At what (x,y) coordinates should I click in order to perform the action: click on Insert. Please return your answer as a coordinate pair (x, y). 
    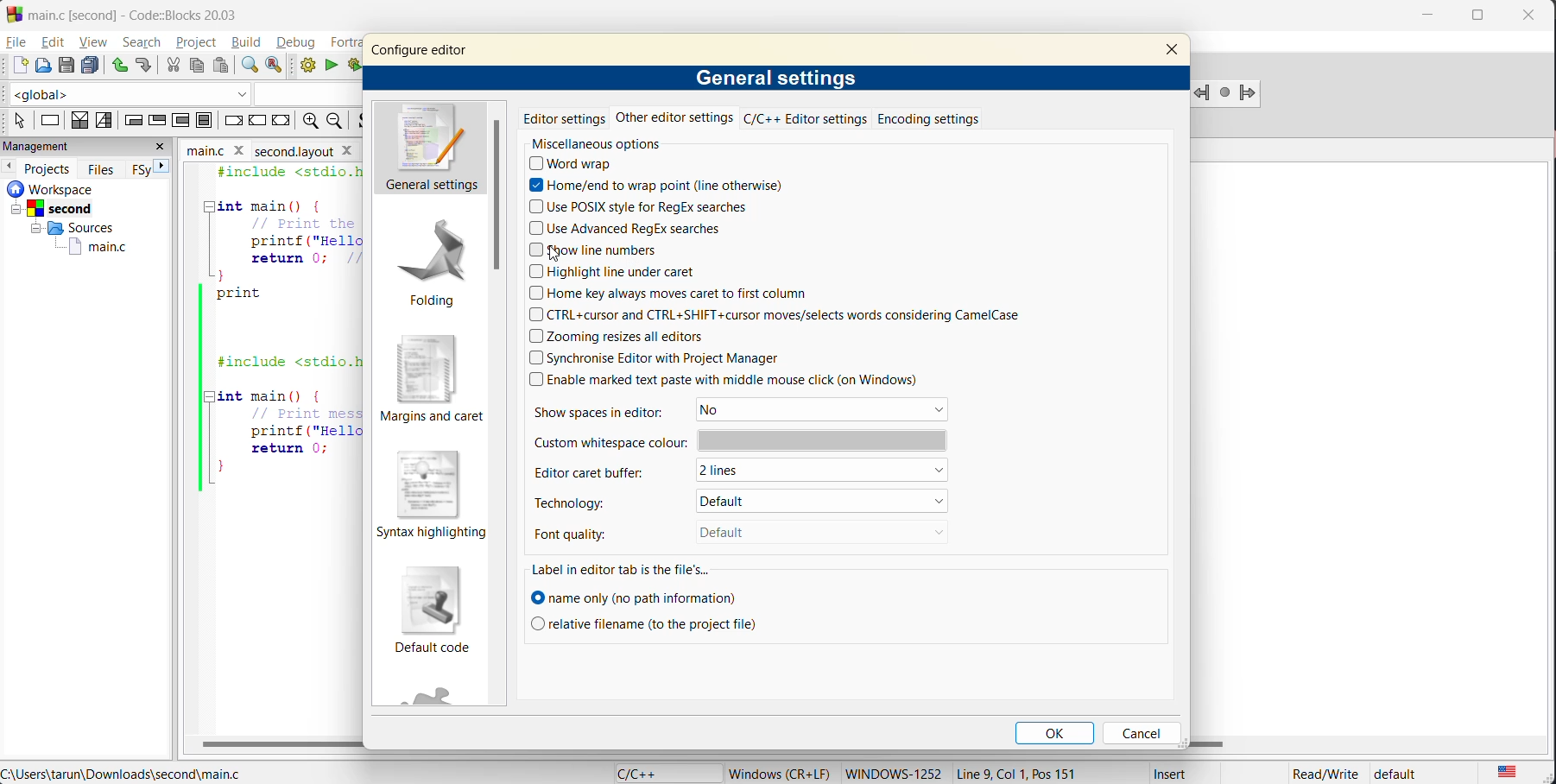
    Looking at the image, I should click on (1170, 773).